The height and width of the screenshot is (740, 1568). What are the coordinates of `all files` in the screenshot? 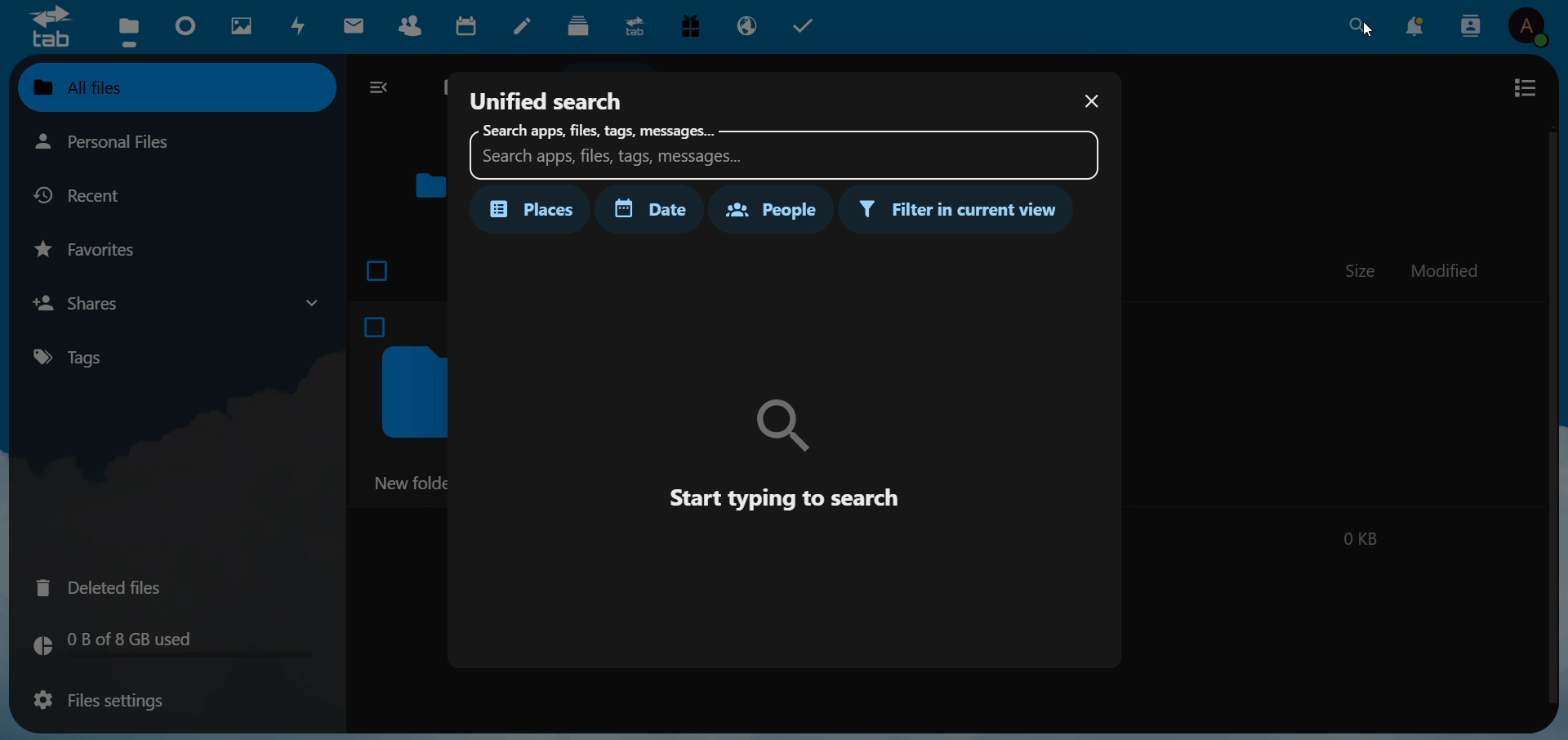 It's located at (173, 87).